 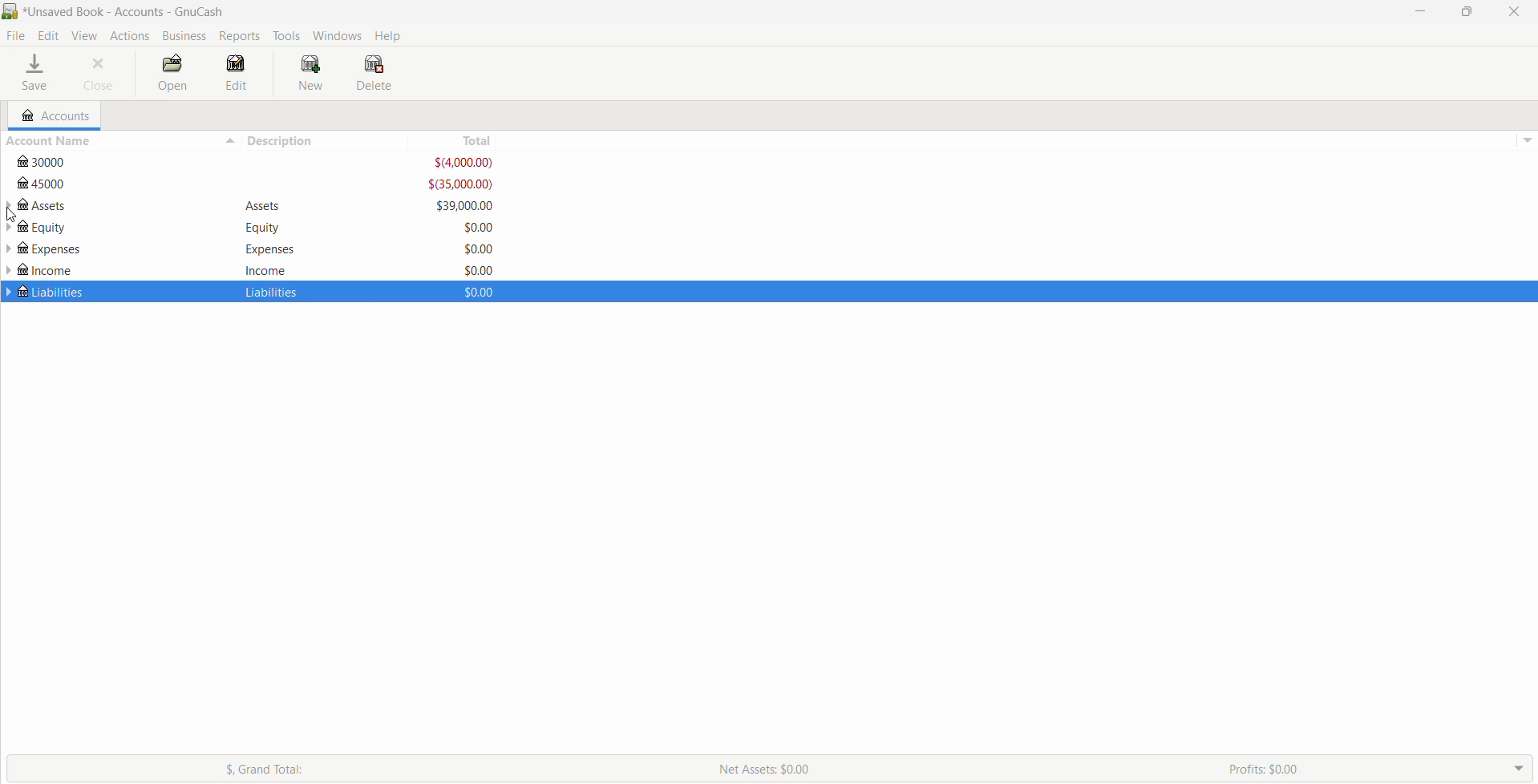 I want to click on Accounts, so click(x=51, y=115).